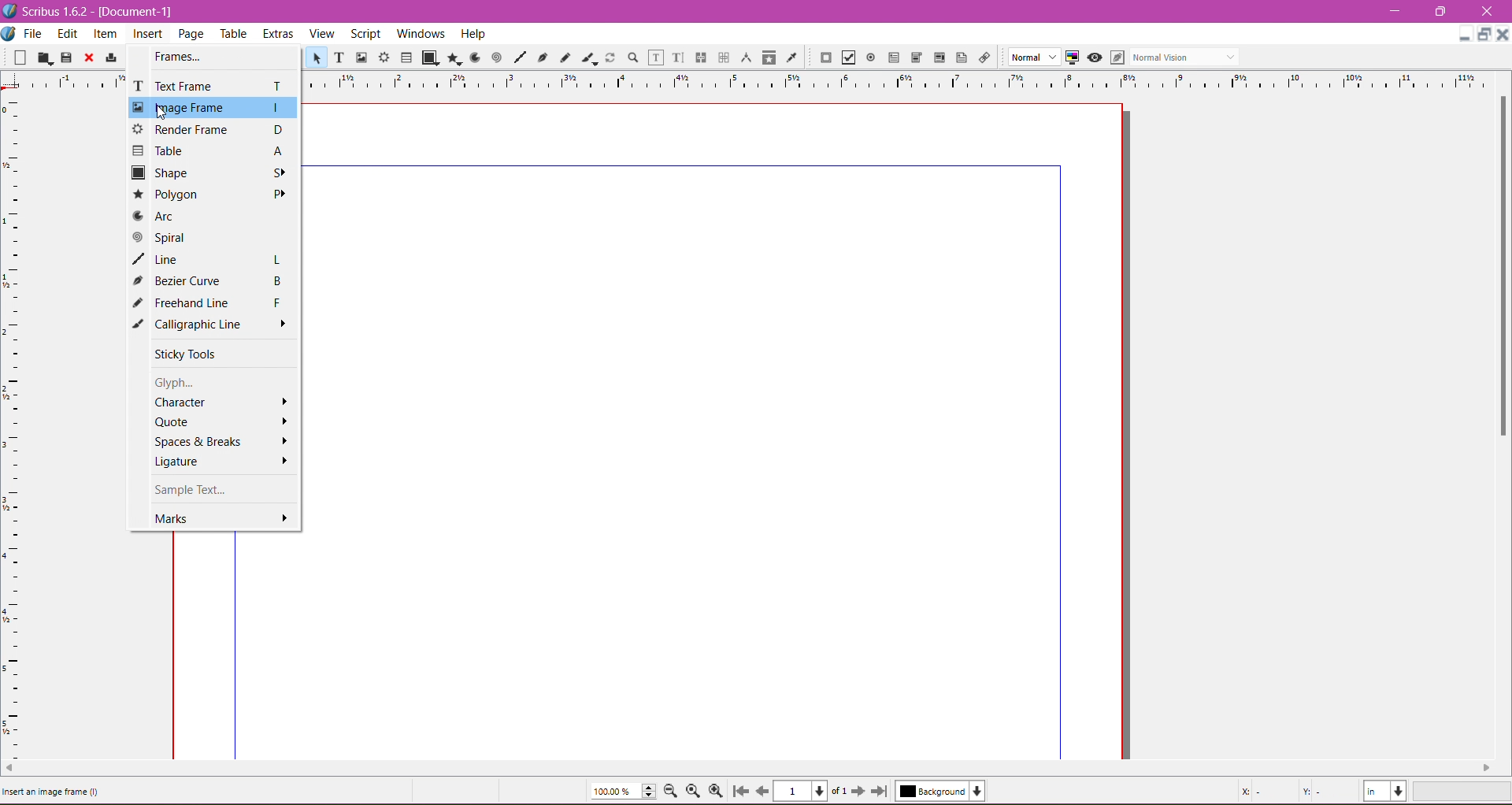  What do you see at coordinates (67, 35) in the screenshot?
I see `Edit` at bounding box center [67, 35].